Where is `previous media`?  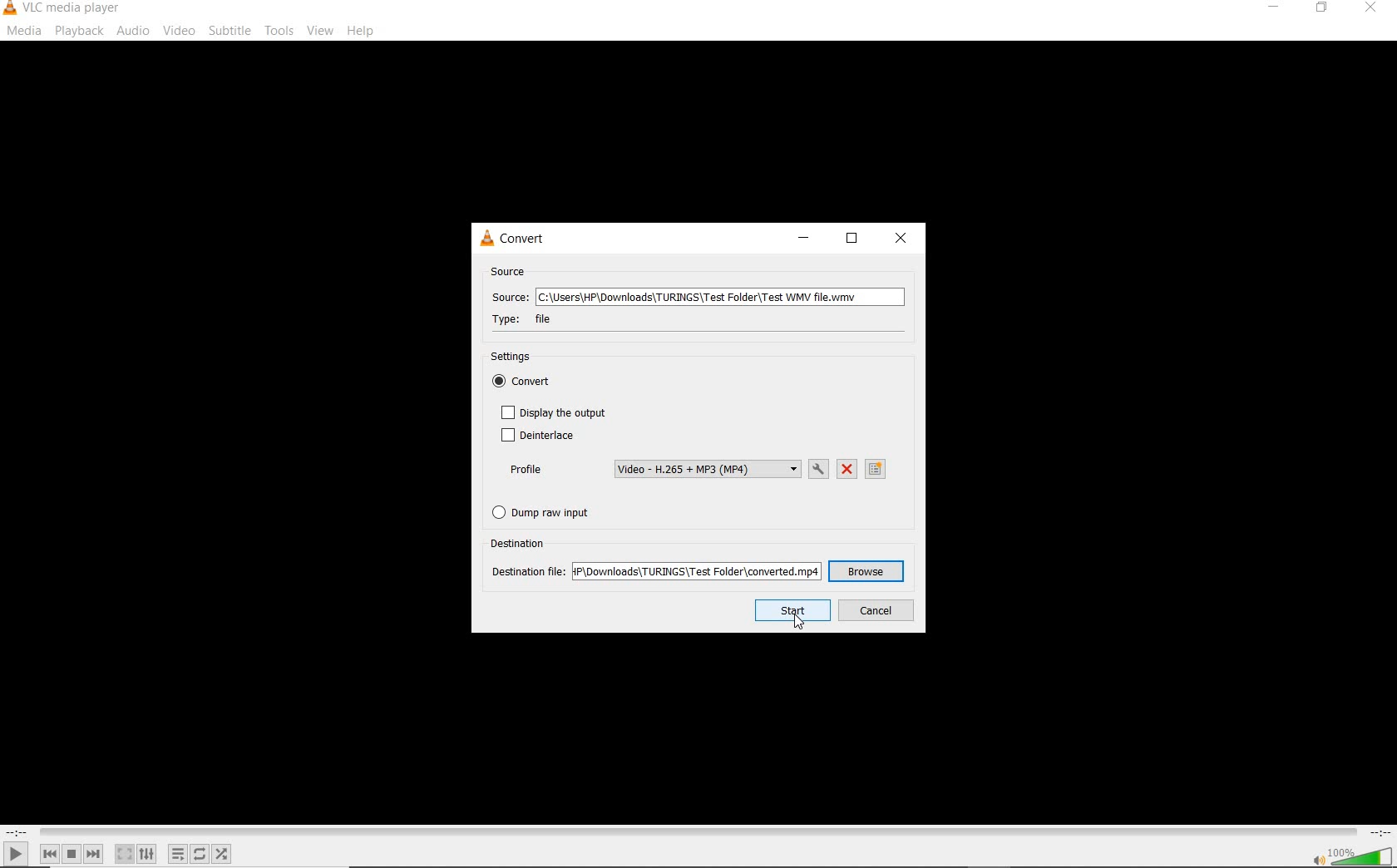
previous media is located at coordinates (49, 854).